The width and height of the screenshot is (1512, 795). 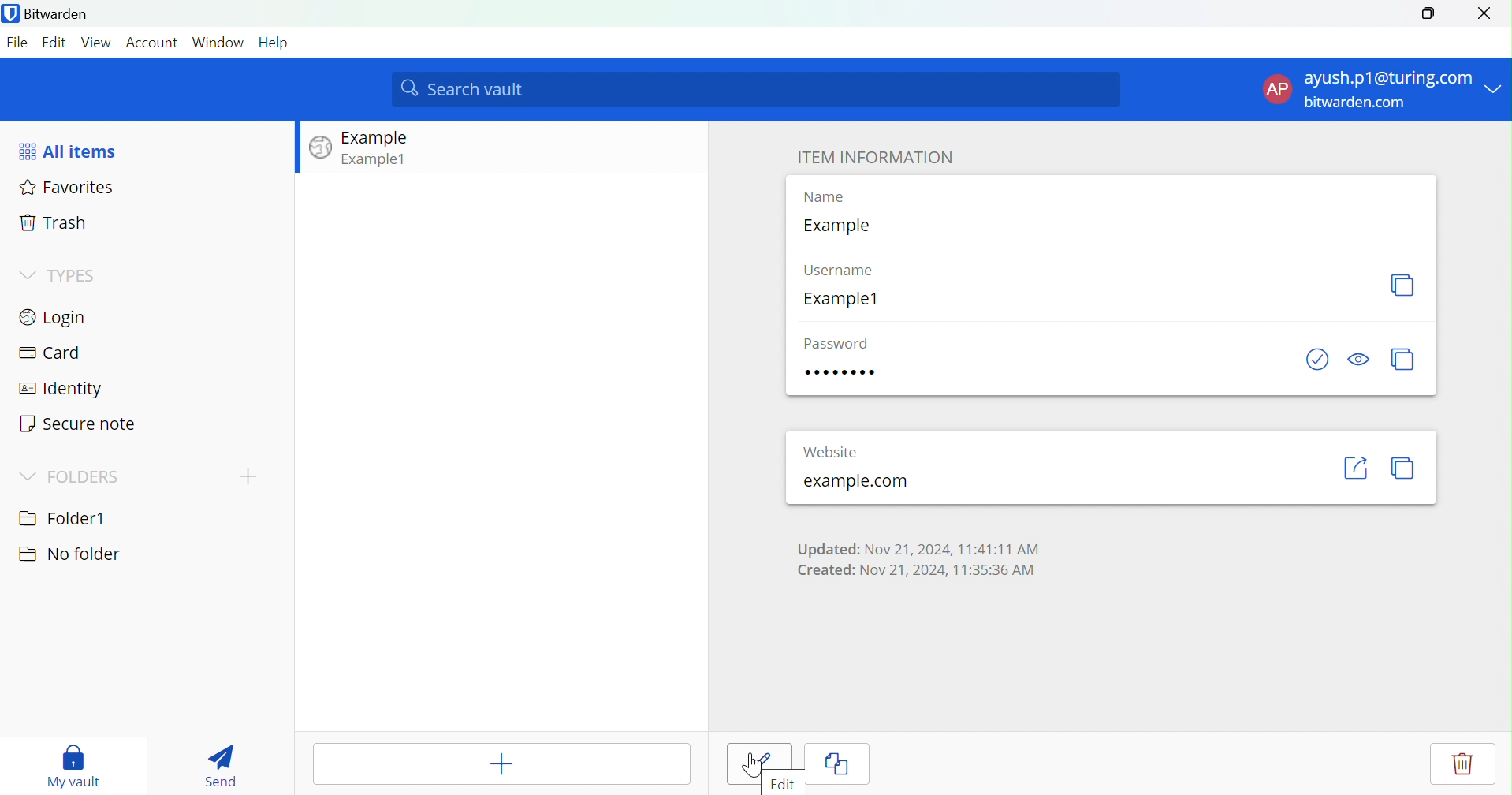 What do you see at coordinates (1496, 84) in the screenshot?
I see `Drop Down` at bounding box center [1496, 84].